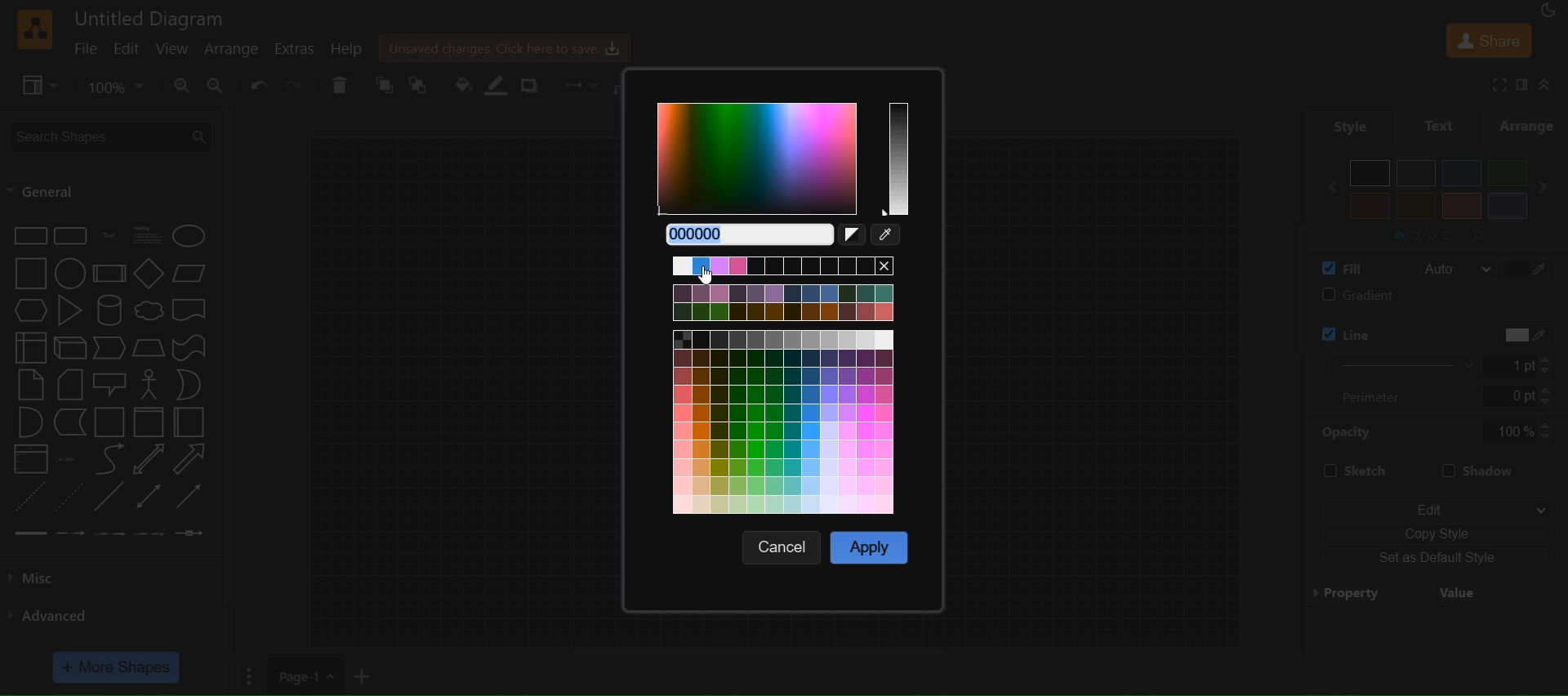 The height and width of the screenshot is (696, 1568). I want to click on rounded rectangle, so click(69, 236).